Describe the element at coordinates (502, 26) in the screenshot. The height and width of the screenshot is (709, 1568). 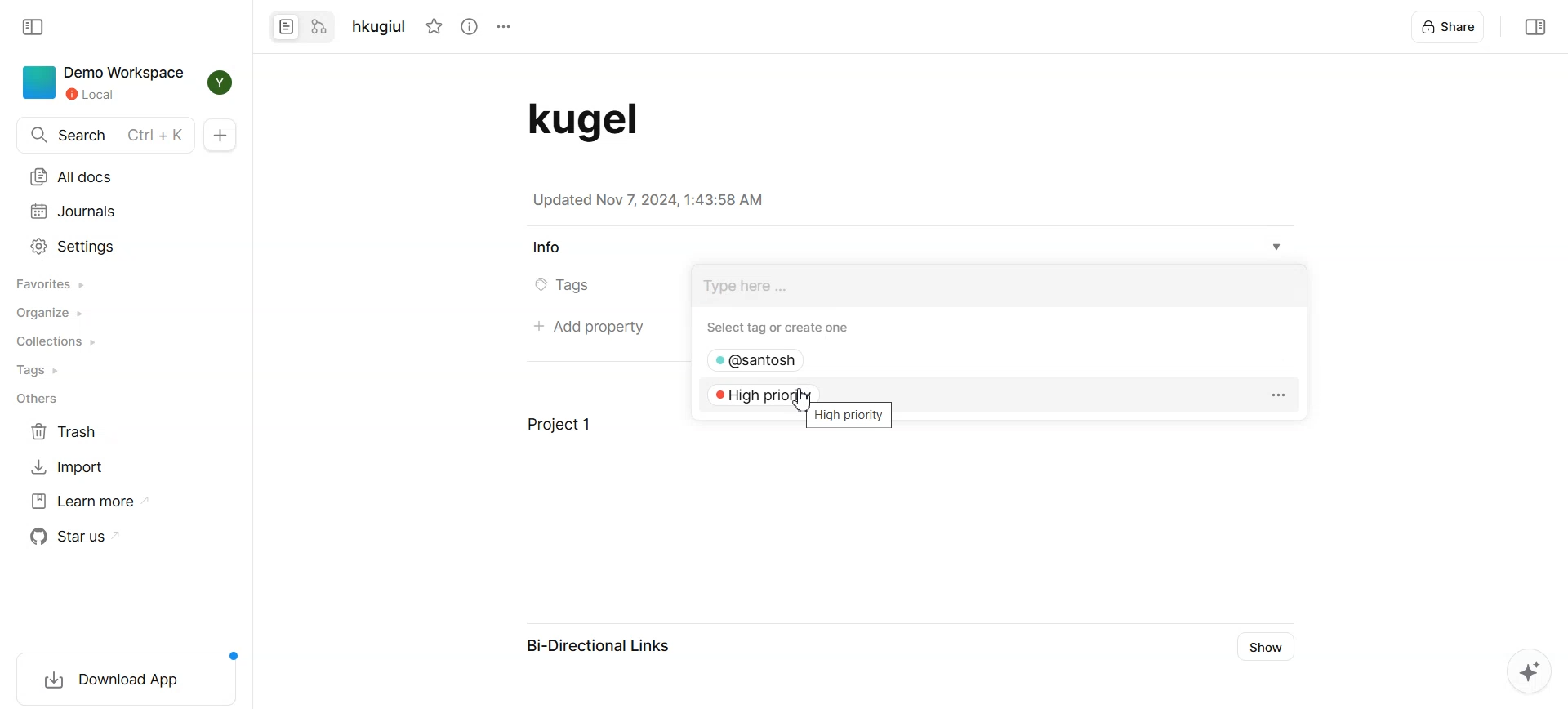
I see `options` at that location.